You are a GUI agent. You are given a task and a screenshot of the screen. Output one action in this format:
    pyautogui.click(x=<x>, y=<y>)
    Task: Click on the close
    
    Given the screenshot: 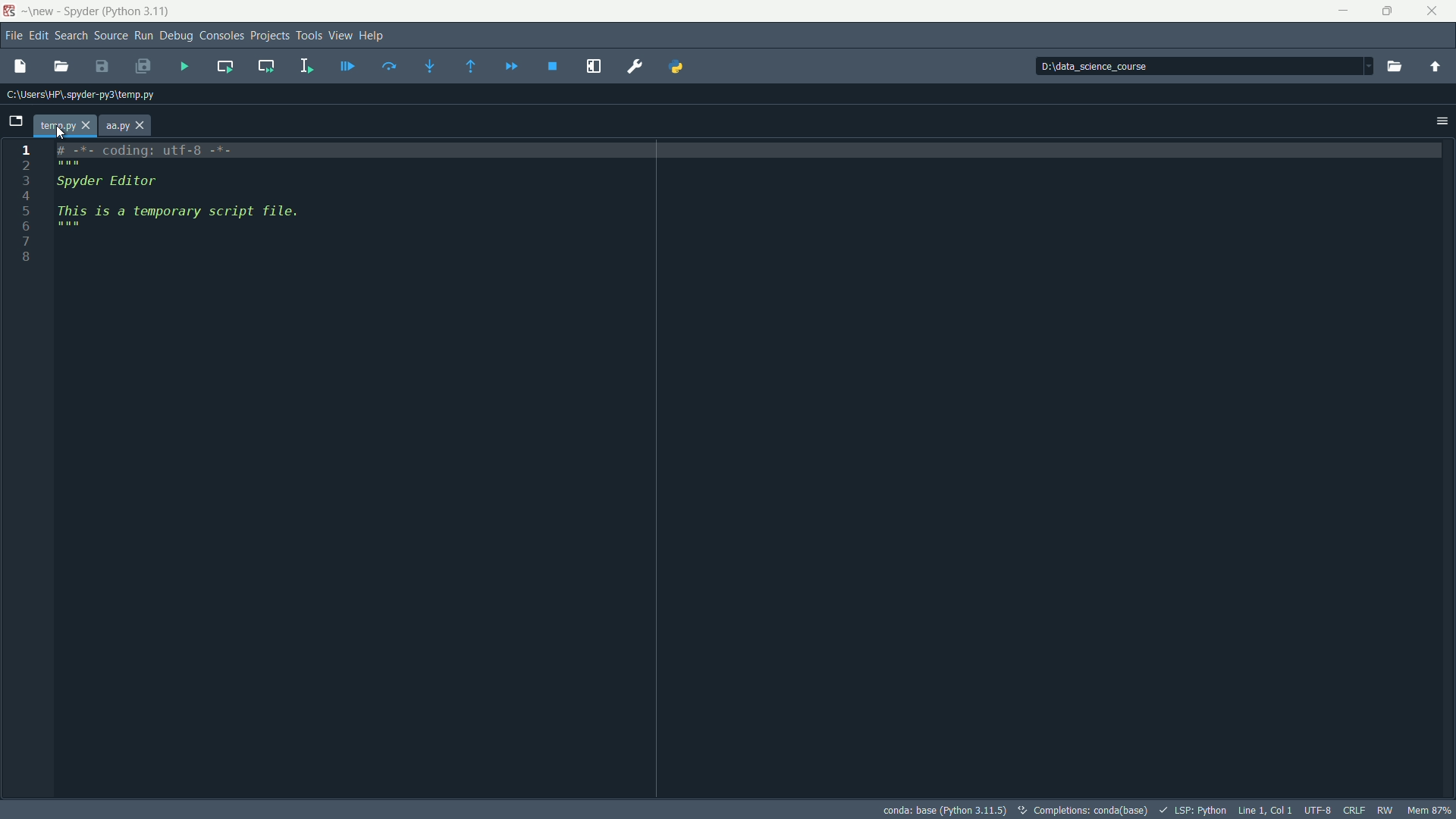 What is the action you would take?
    pyautogui.click(x=1429, y=9)
    